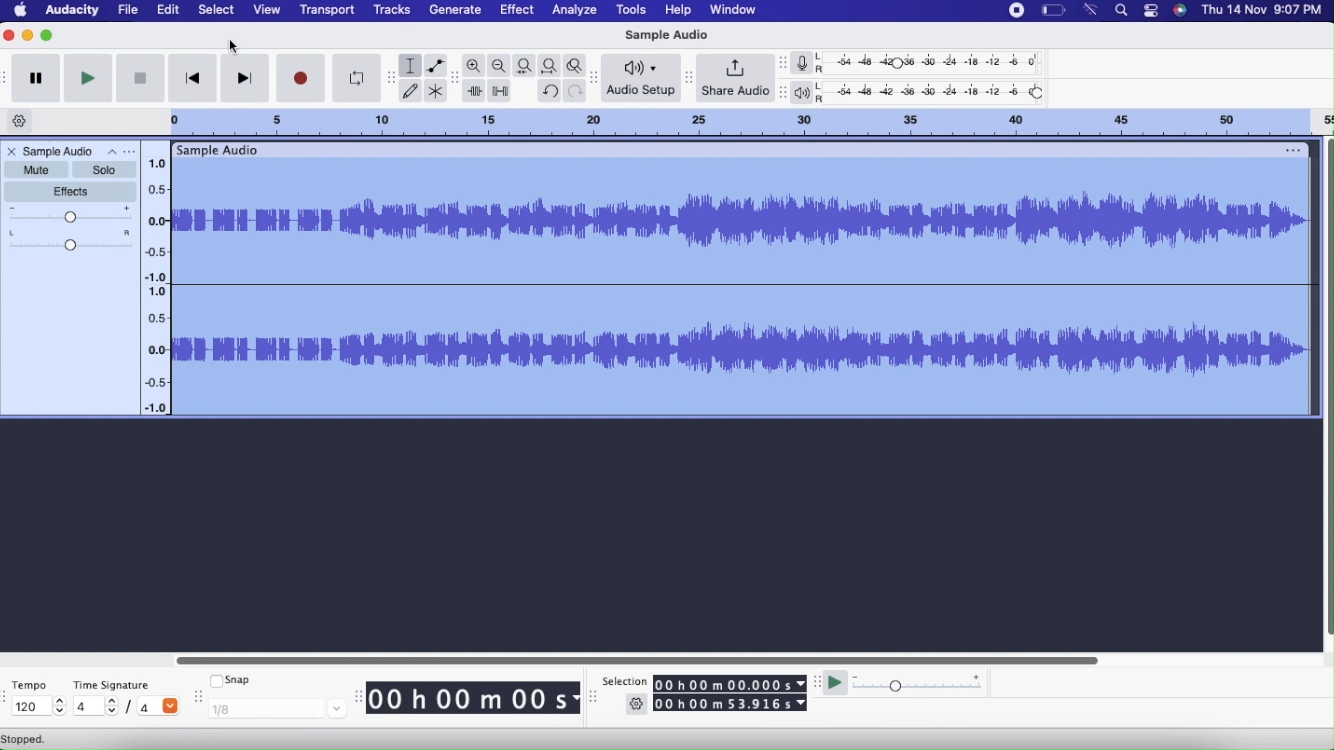  What do you see at coordinates (122, 150) in the screenshot?
I see `Options` at bounding box center [122, 150].